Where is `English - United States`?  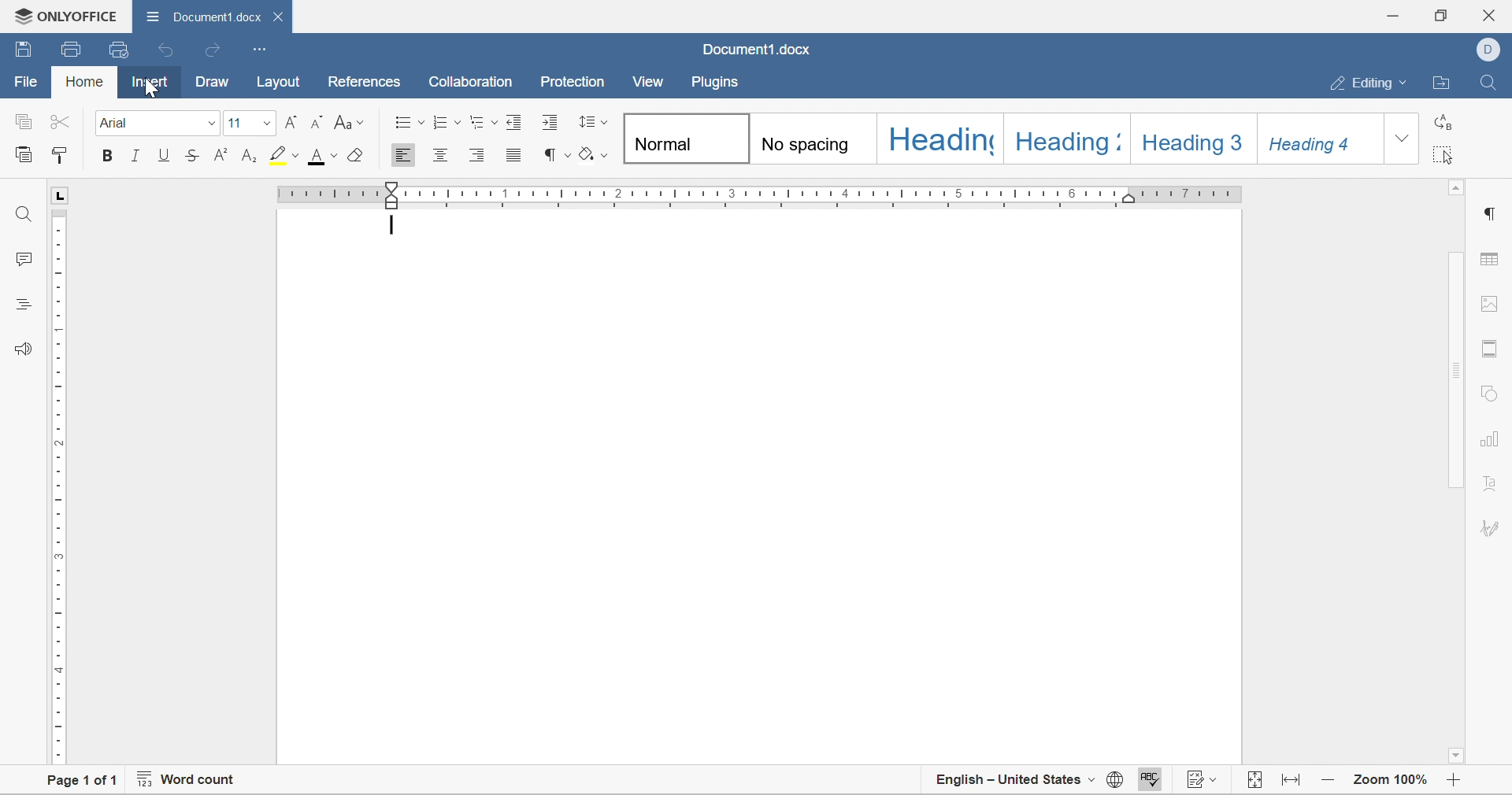
English - United States is located at coordinates (1014, 784).